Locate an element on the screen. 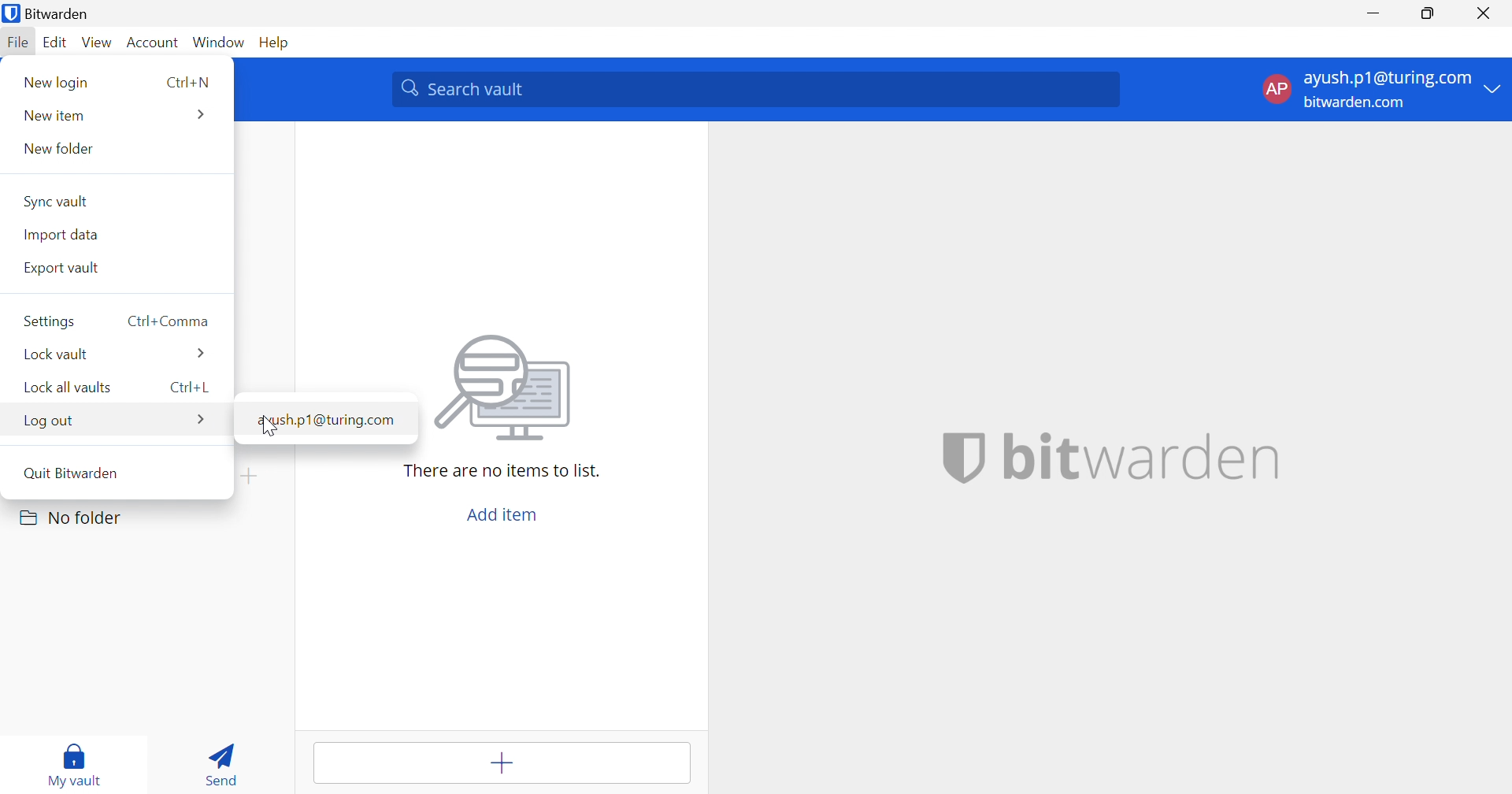  Account is located at coordinates (152, 42).